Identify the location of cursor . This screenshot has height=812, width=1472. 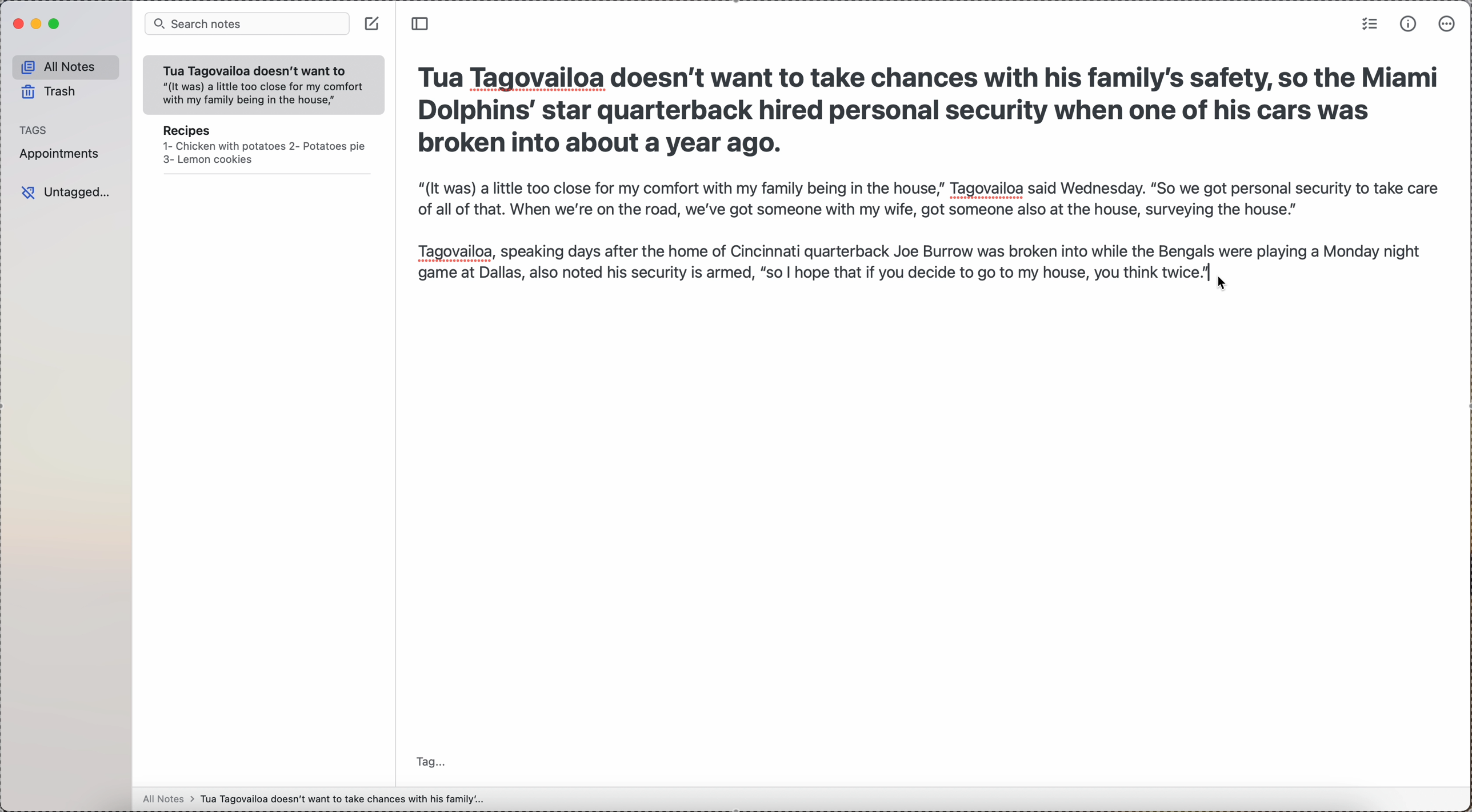
(1229, 282).